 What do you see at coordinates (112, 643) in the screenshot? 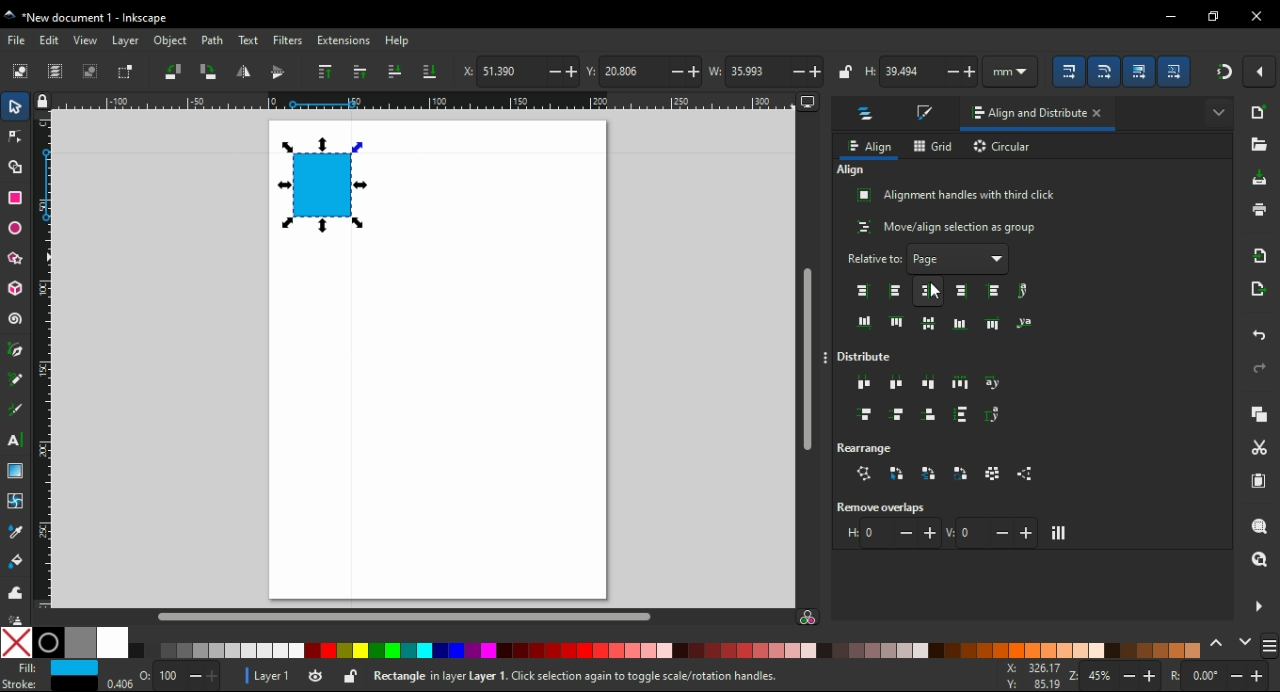
I see `white` at bounding box center [112, 643].